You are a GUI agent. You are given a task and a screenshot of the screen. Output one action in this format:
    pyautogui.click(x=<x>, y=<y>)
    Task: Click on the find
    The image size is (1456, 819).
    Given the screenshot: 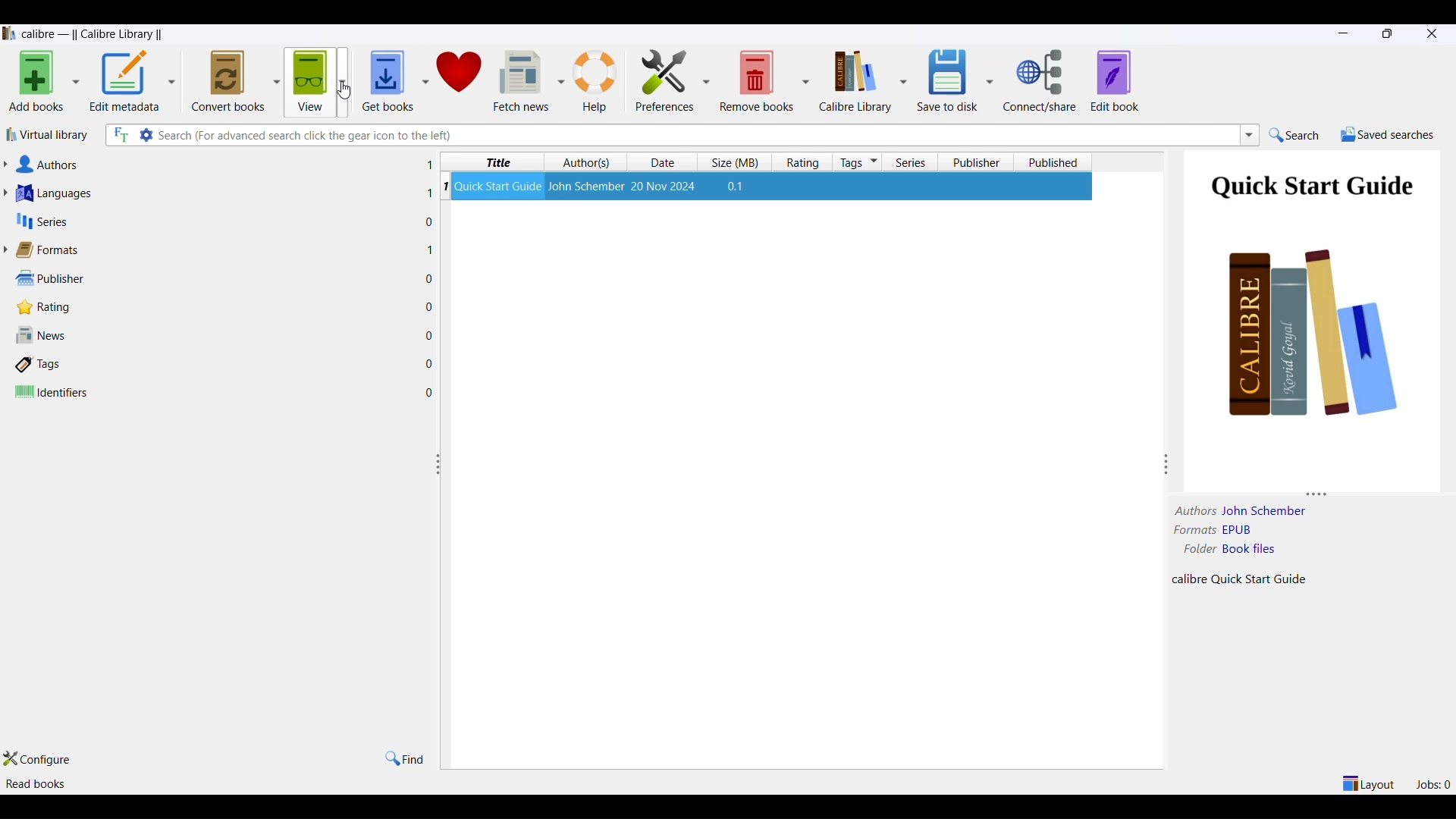 What is the action you would take?
    pyautogui.click(x=406, y=758)
    